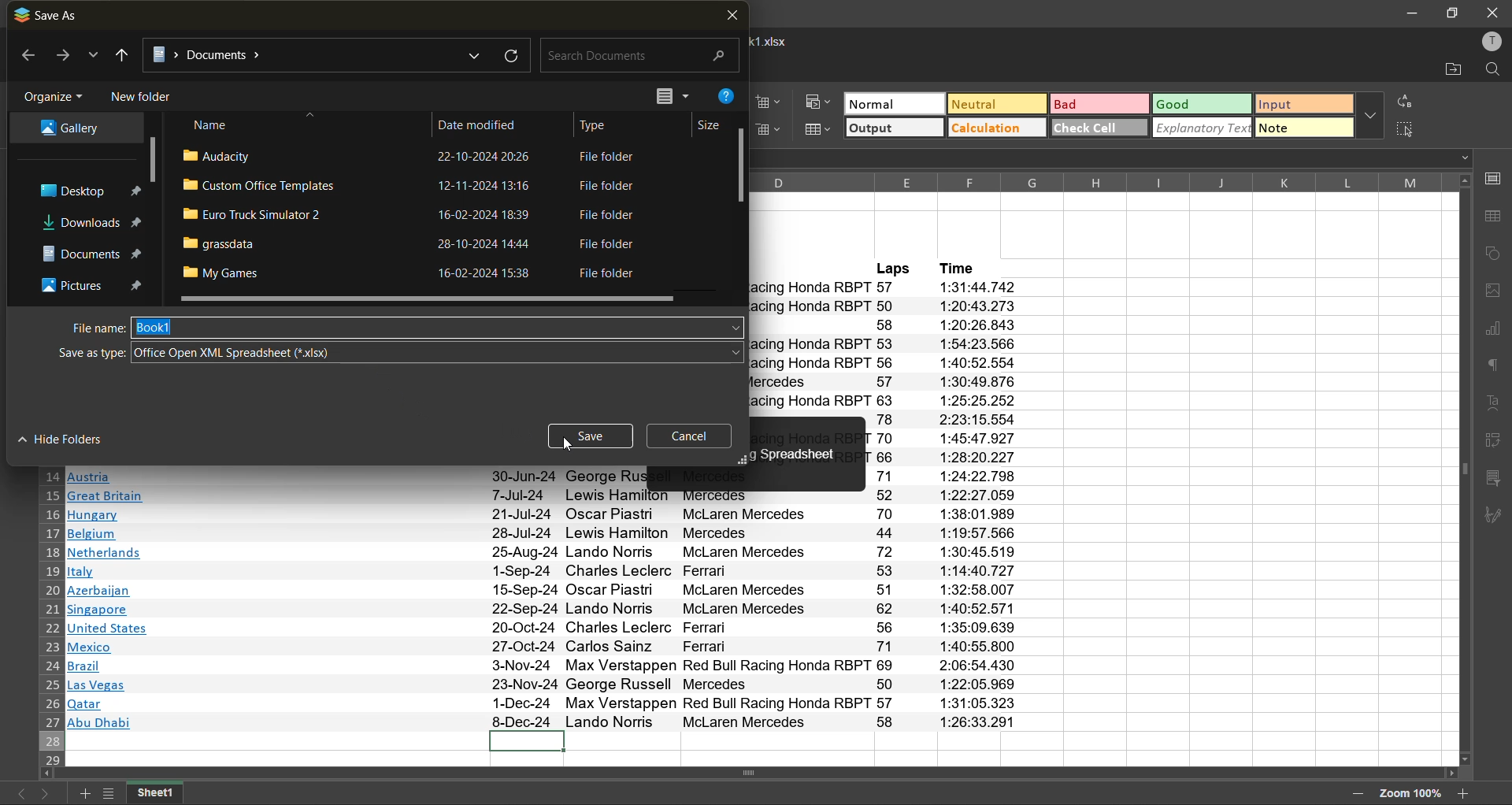  Describe the element at coordinates (1454, 775) in the screenshot. I see `move right` at that location.